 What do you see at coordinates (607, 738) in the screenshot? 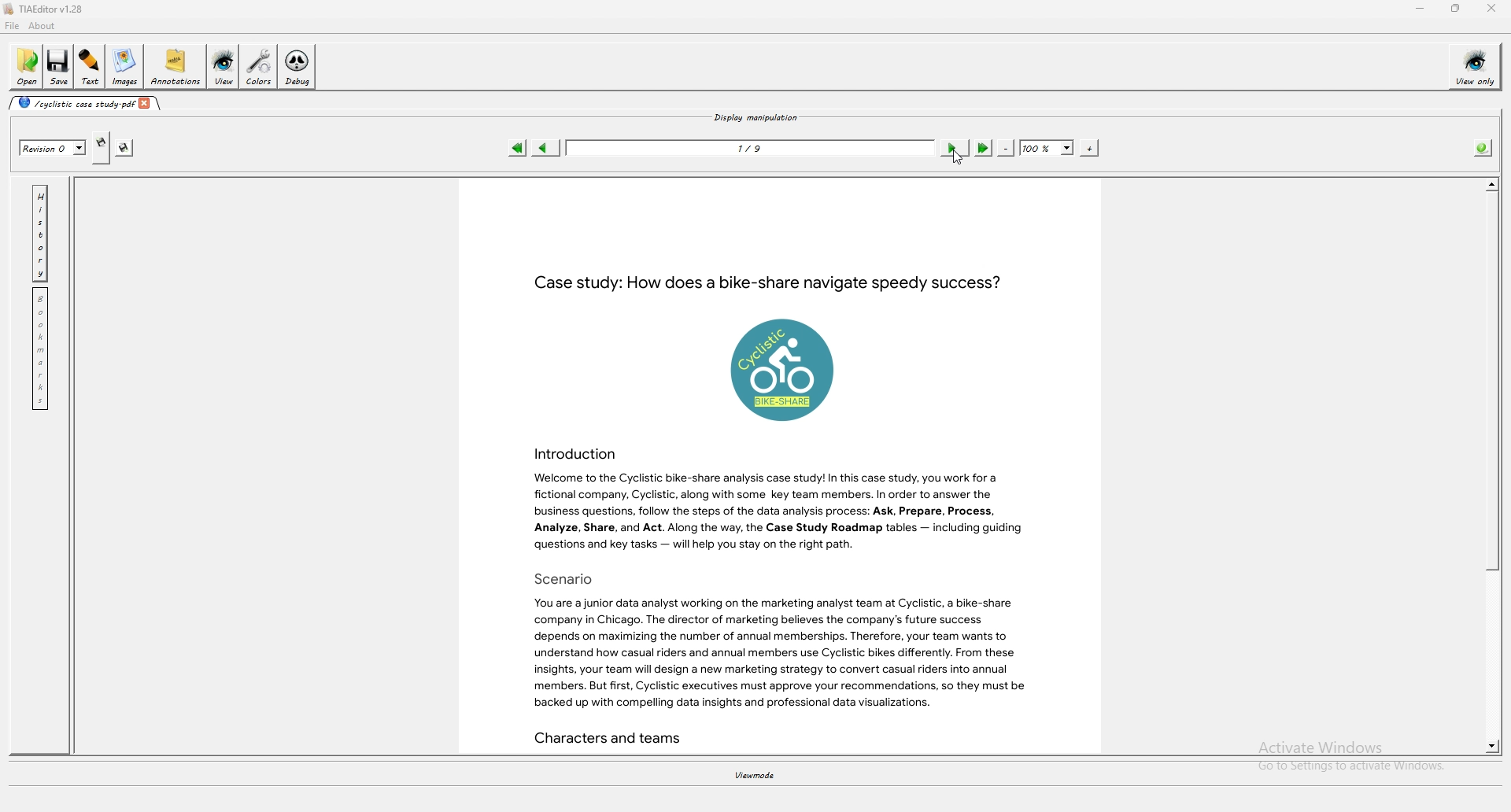
I see `Characters and teams` at bounding box center [607, 738].